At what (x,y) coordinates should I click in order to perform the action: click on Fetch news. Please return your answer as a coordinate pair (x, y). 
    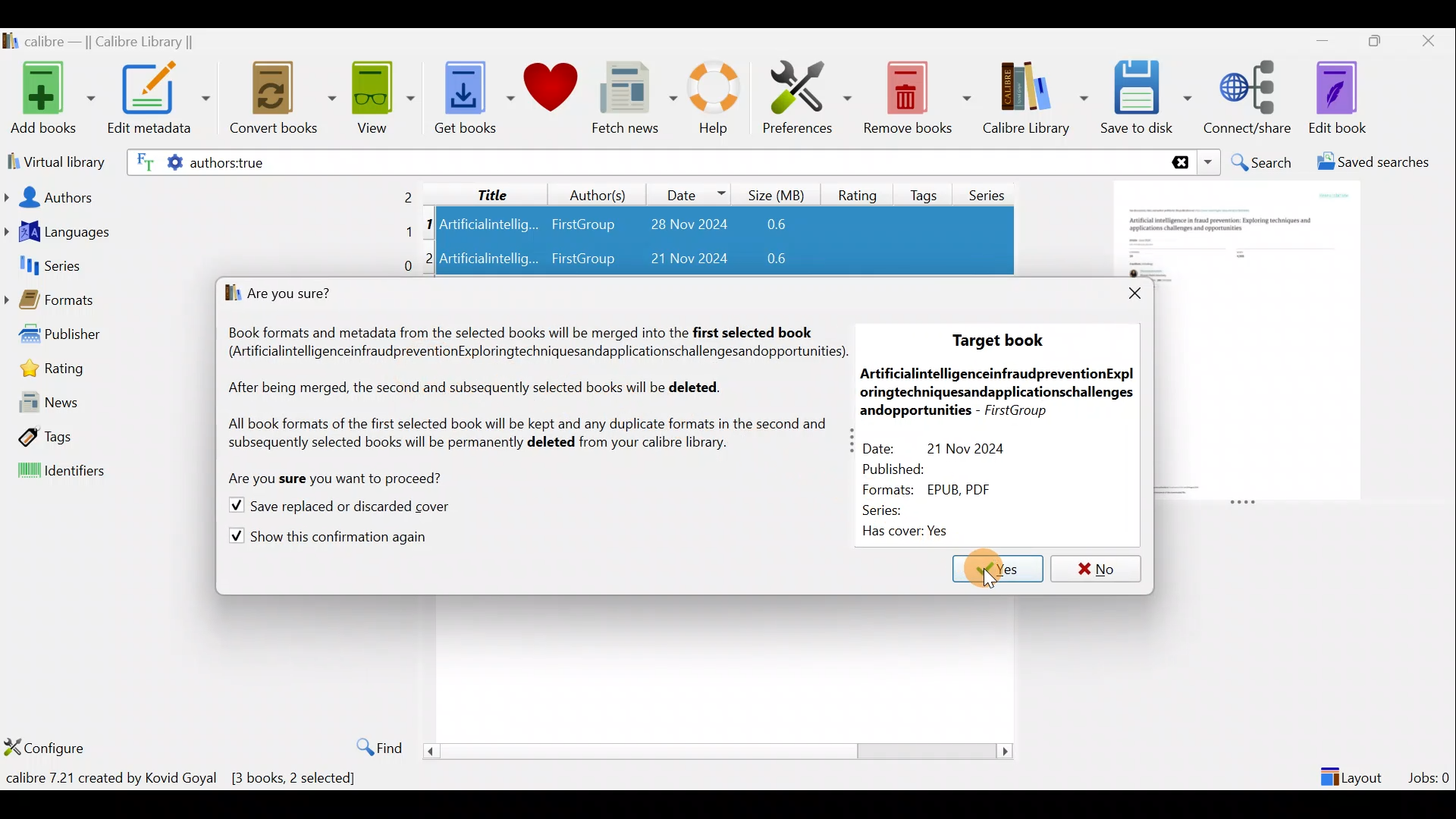
    Looking at the image, I should click on (631, 102).